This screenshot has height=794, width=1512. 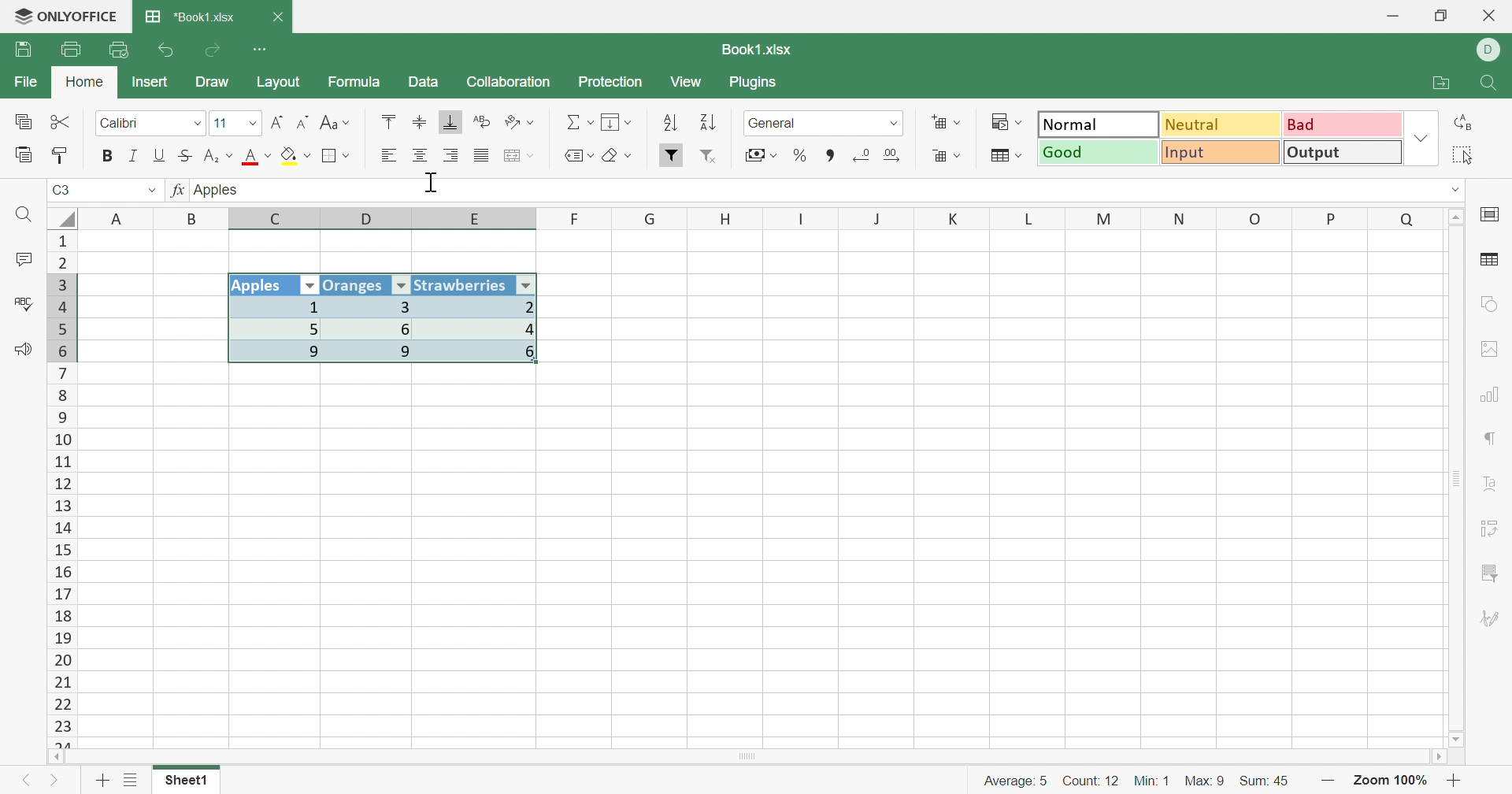 I want to click on Save, so click(x=26, y=50).